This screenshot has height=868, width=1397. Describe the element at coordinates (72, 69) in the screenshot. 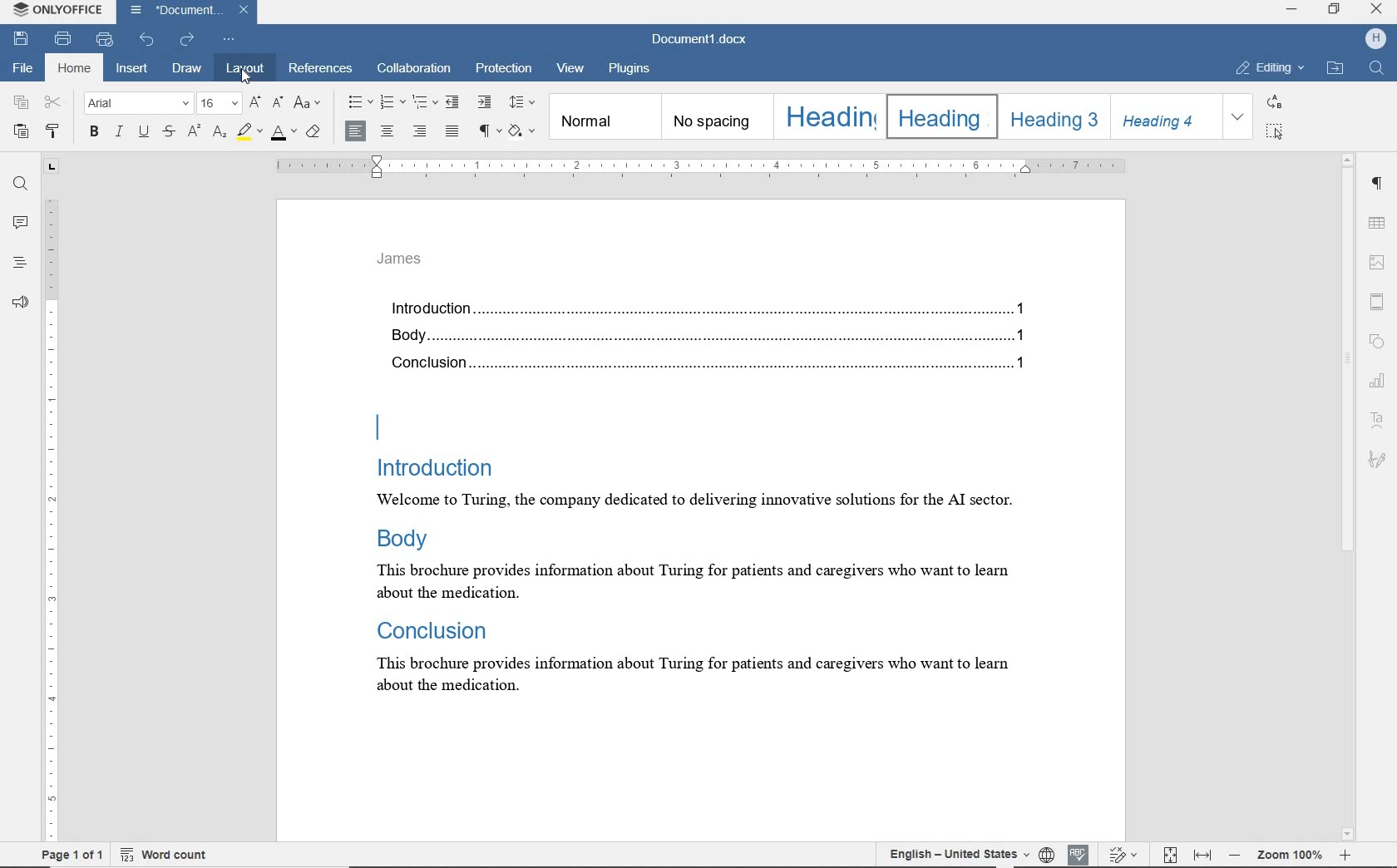

I see `home` at that location.